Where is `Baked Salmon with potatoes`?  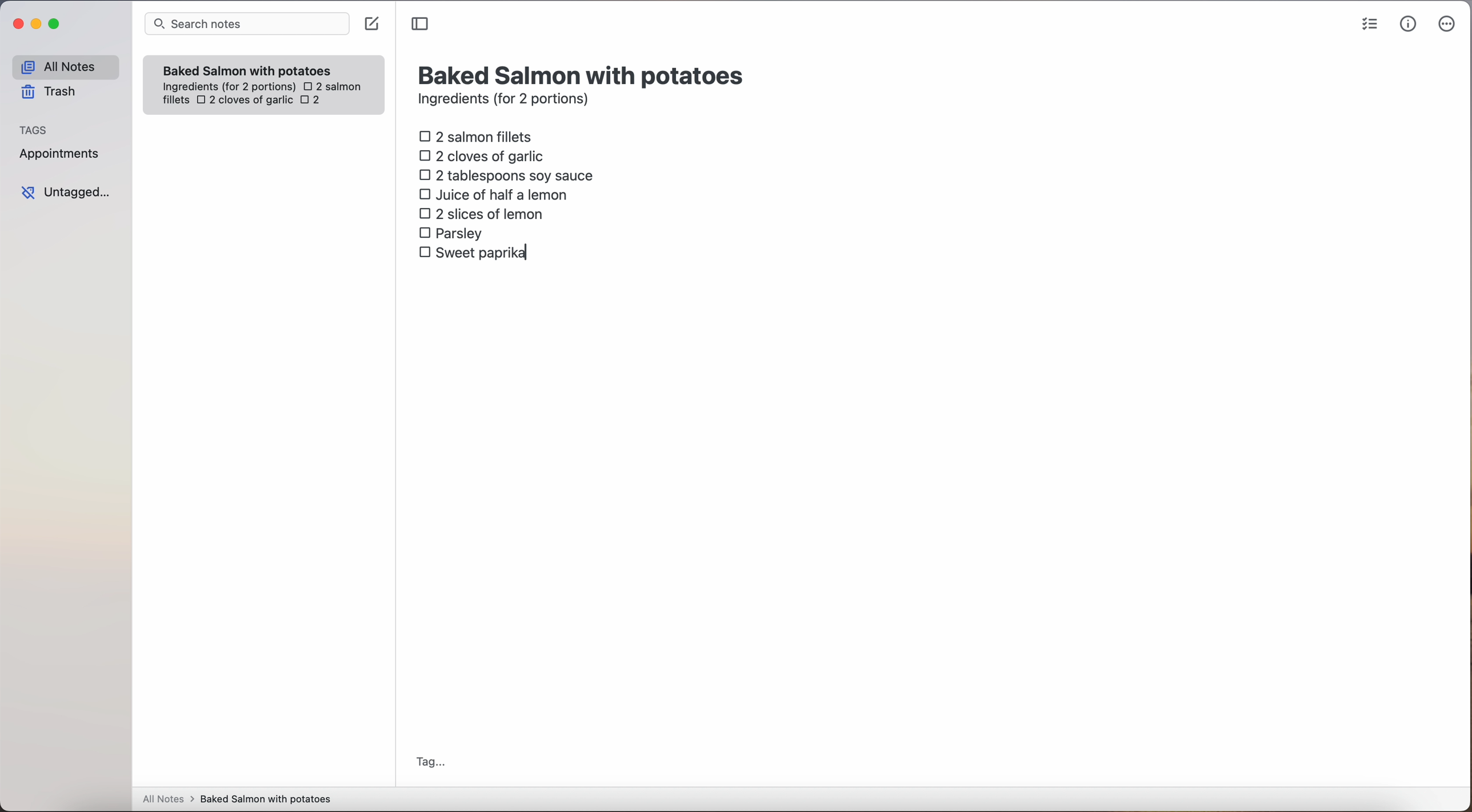
Baked Salmon with potatoes is located at coordinates (247, 68).